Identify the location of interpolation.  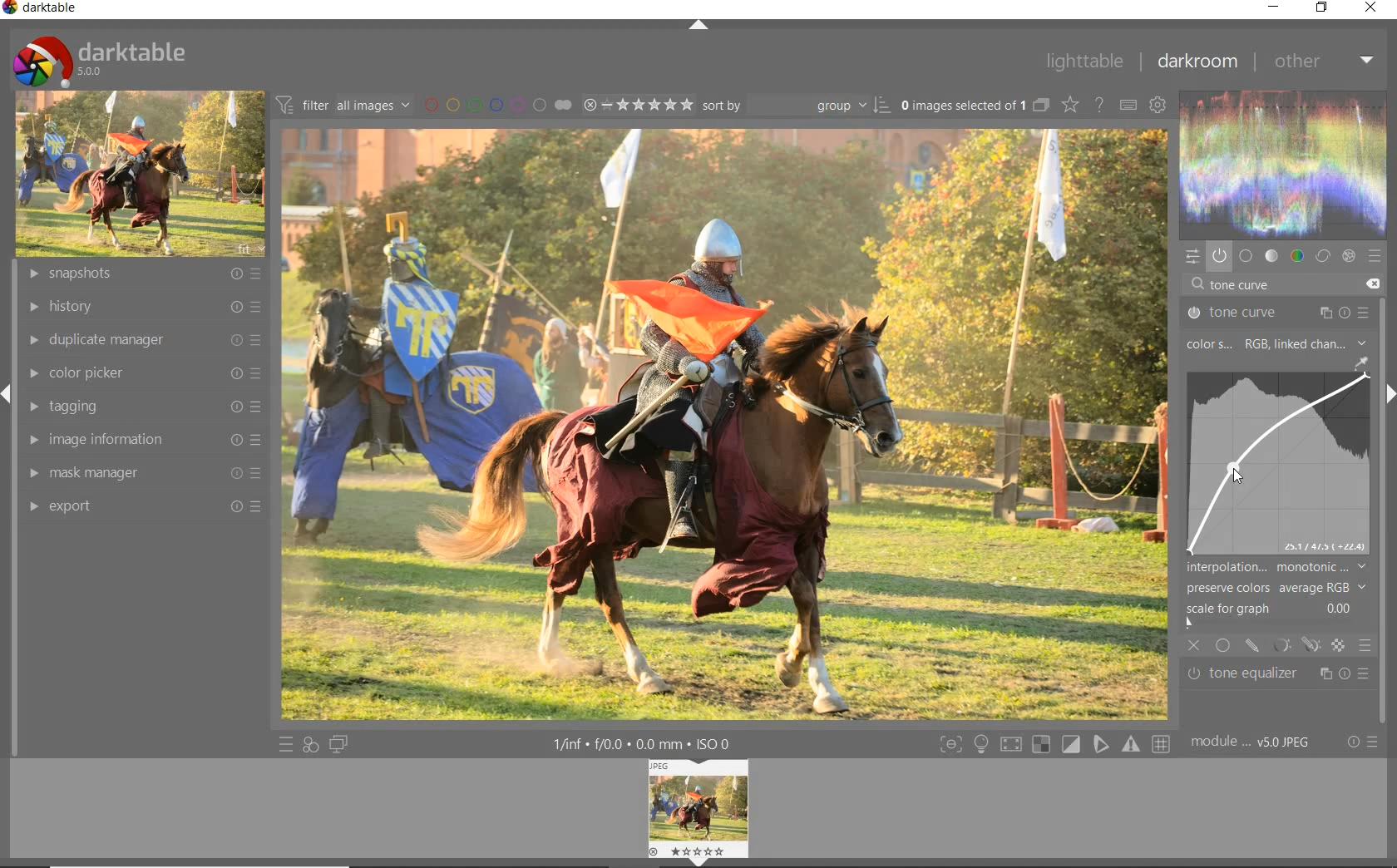
(1276, 567).